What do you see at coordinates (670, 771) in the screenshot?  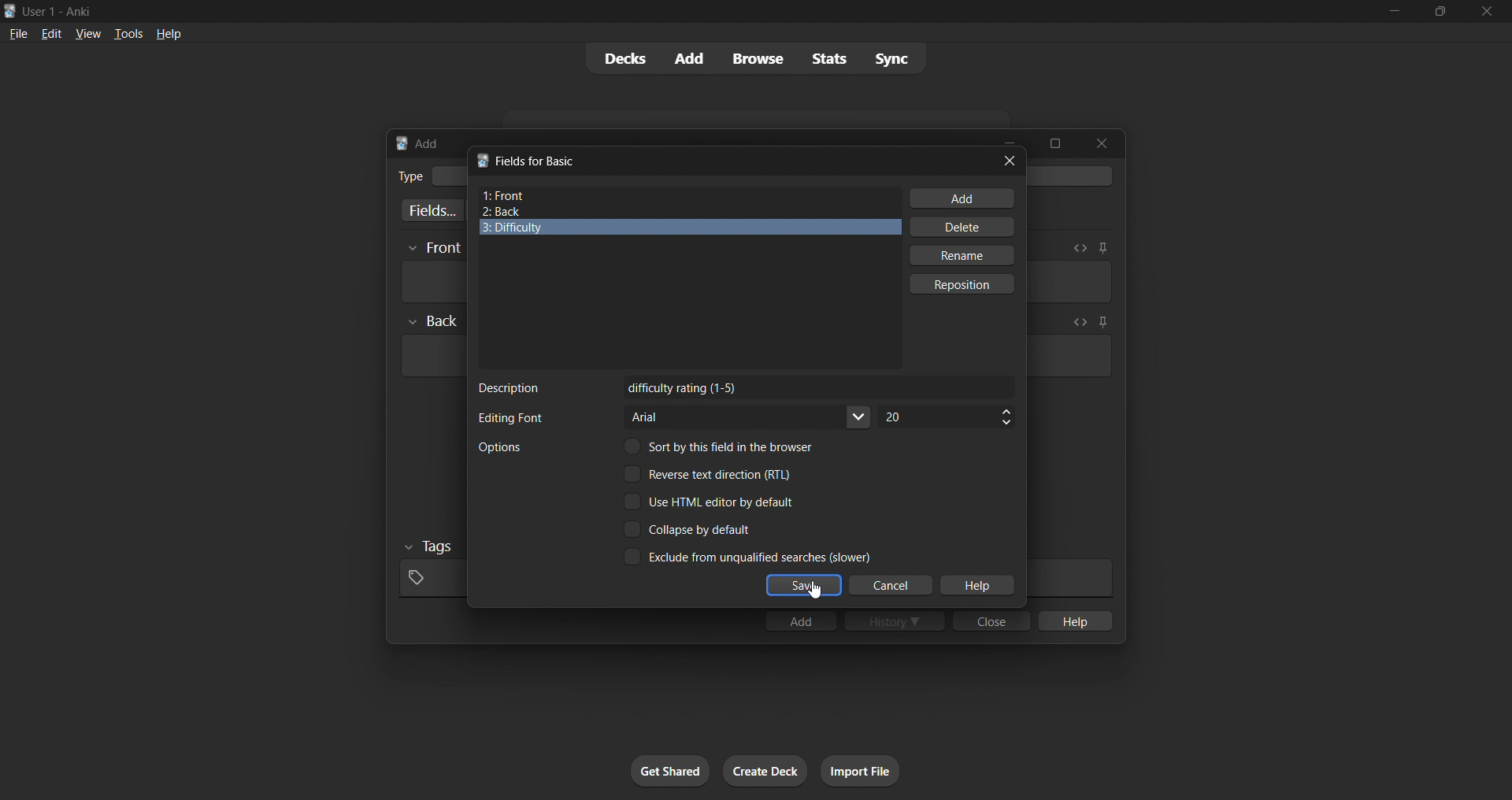 I see `get shared` at bounding box center [670, 771].